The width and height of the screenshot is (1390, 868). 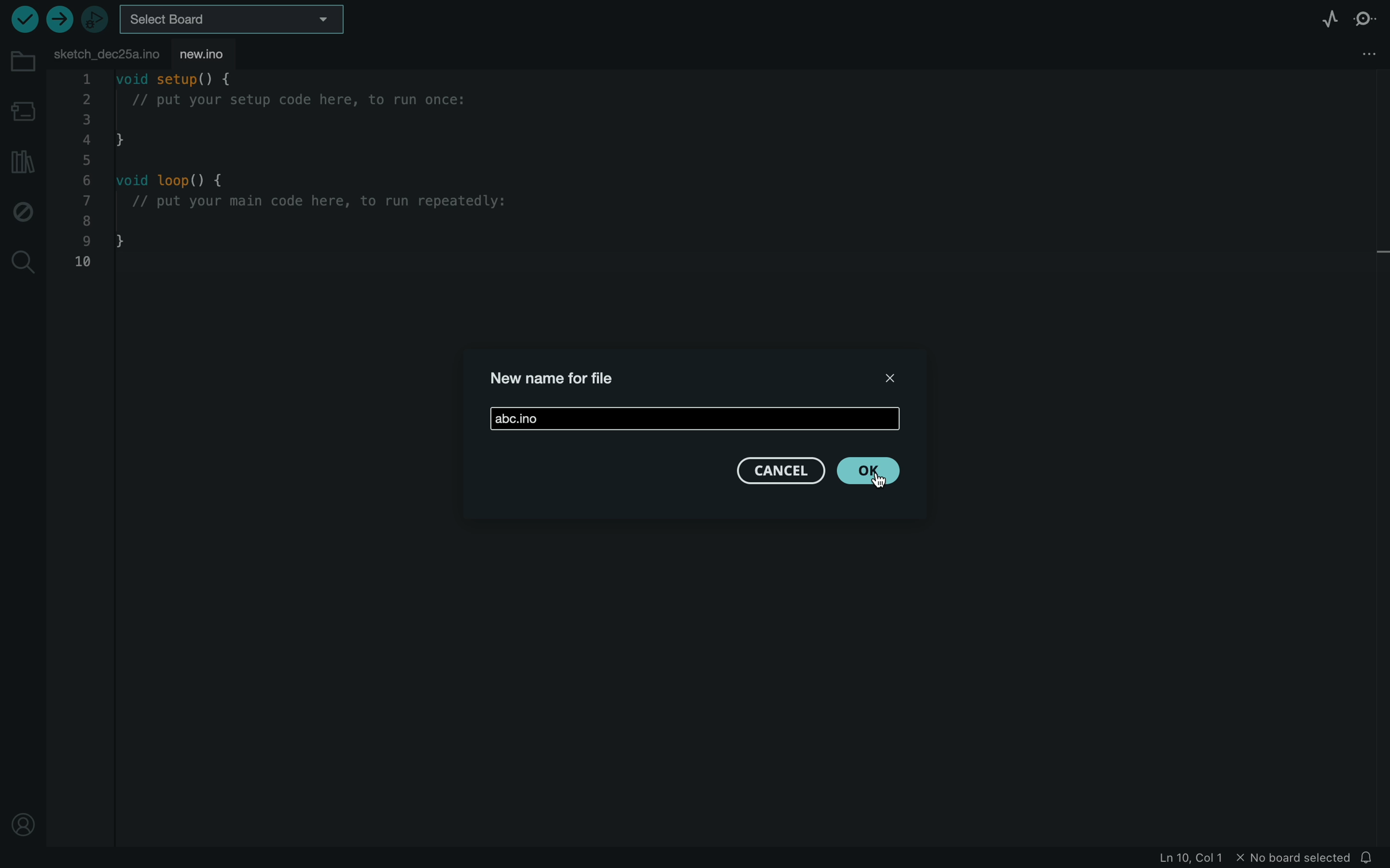 What do you see at coordinates (215, 53) in the screenshot?
I see `new` at bounding box center [215, 53].